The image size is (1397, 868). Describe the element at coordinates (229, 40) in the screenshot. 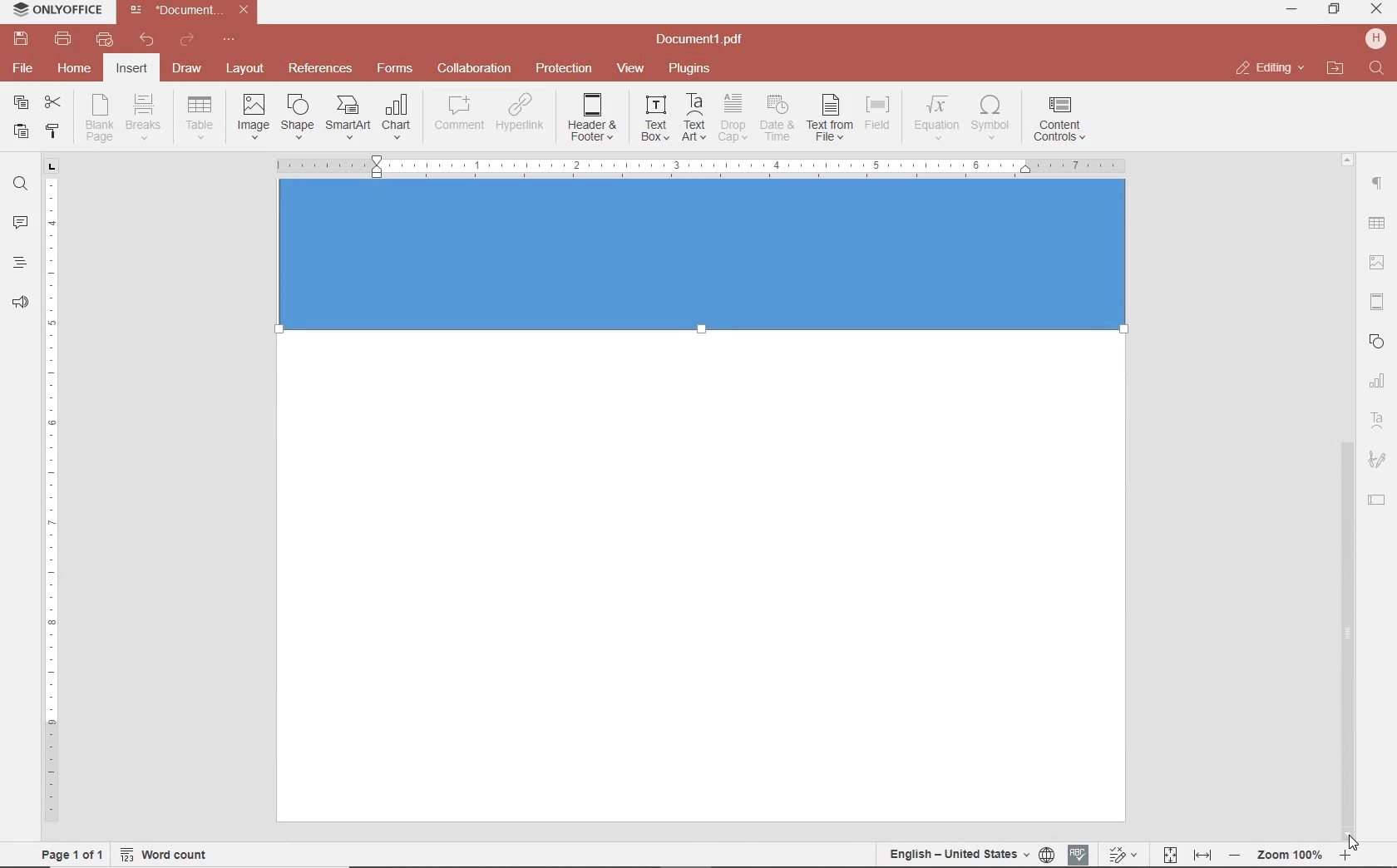

I see `customize quick access toolbar` at that location.